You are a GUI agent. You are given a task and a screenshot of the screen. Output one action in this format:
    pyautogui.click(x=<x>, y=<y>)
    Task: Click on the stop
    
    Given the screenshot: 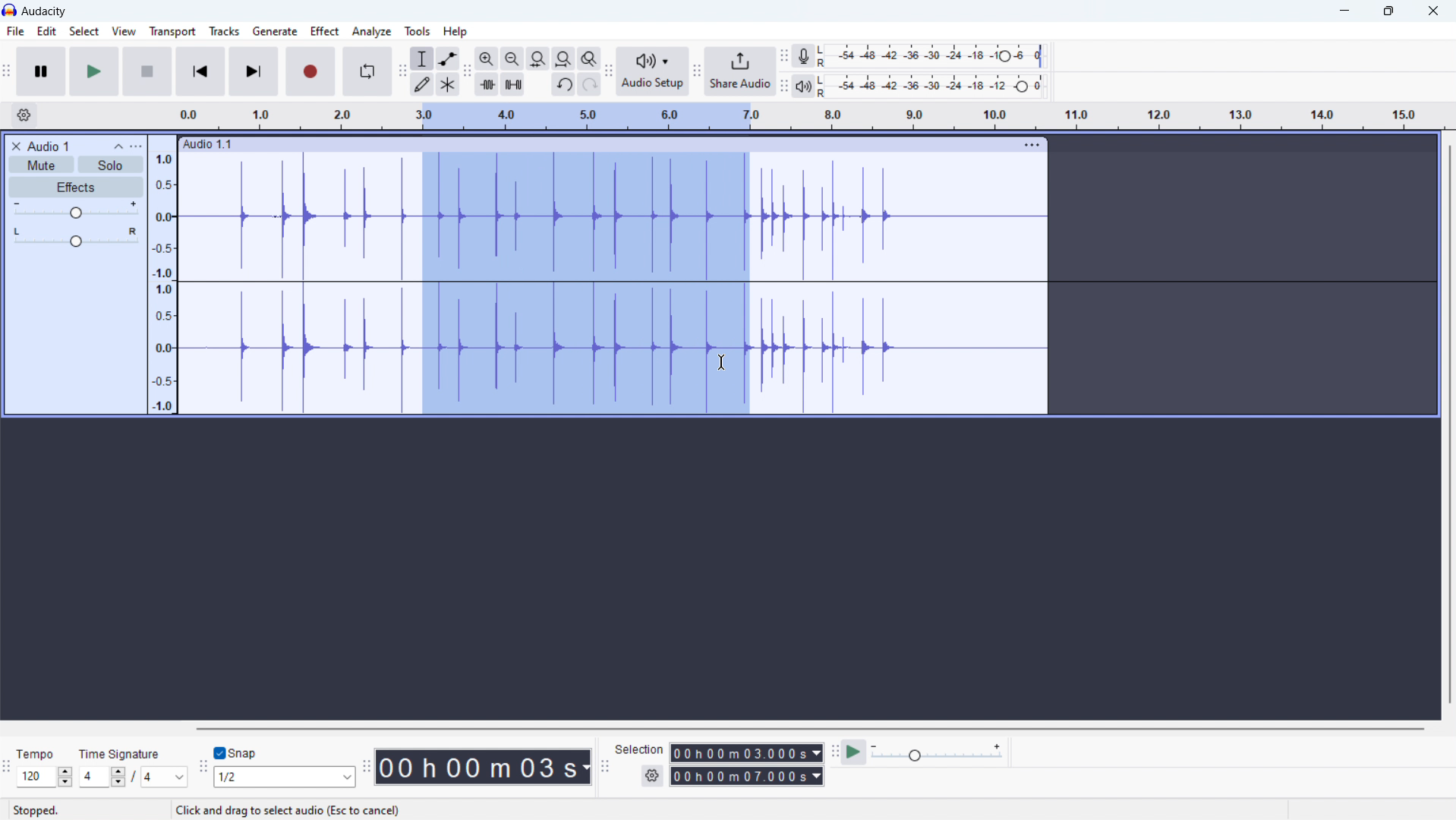 What is the action you would take?
    pyautogui.click(x=148, y=71)
    